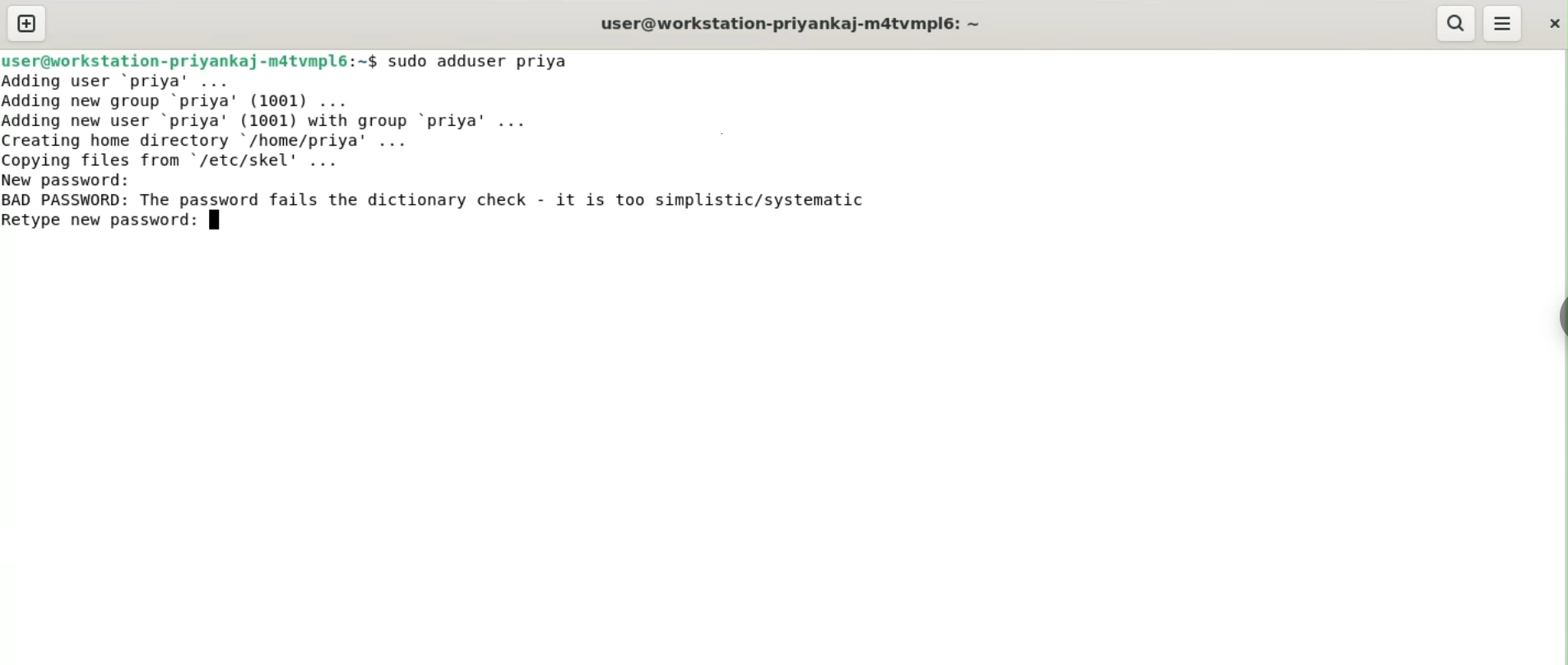 The width and height of the screenshot is (1568, 665). I want to click on search, so click(1457, 24).